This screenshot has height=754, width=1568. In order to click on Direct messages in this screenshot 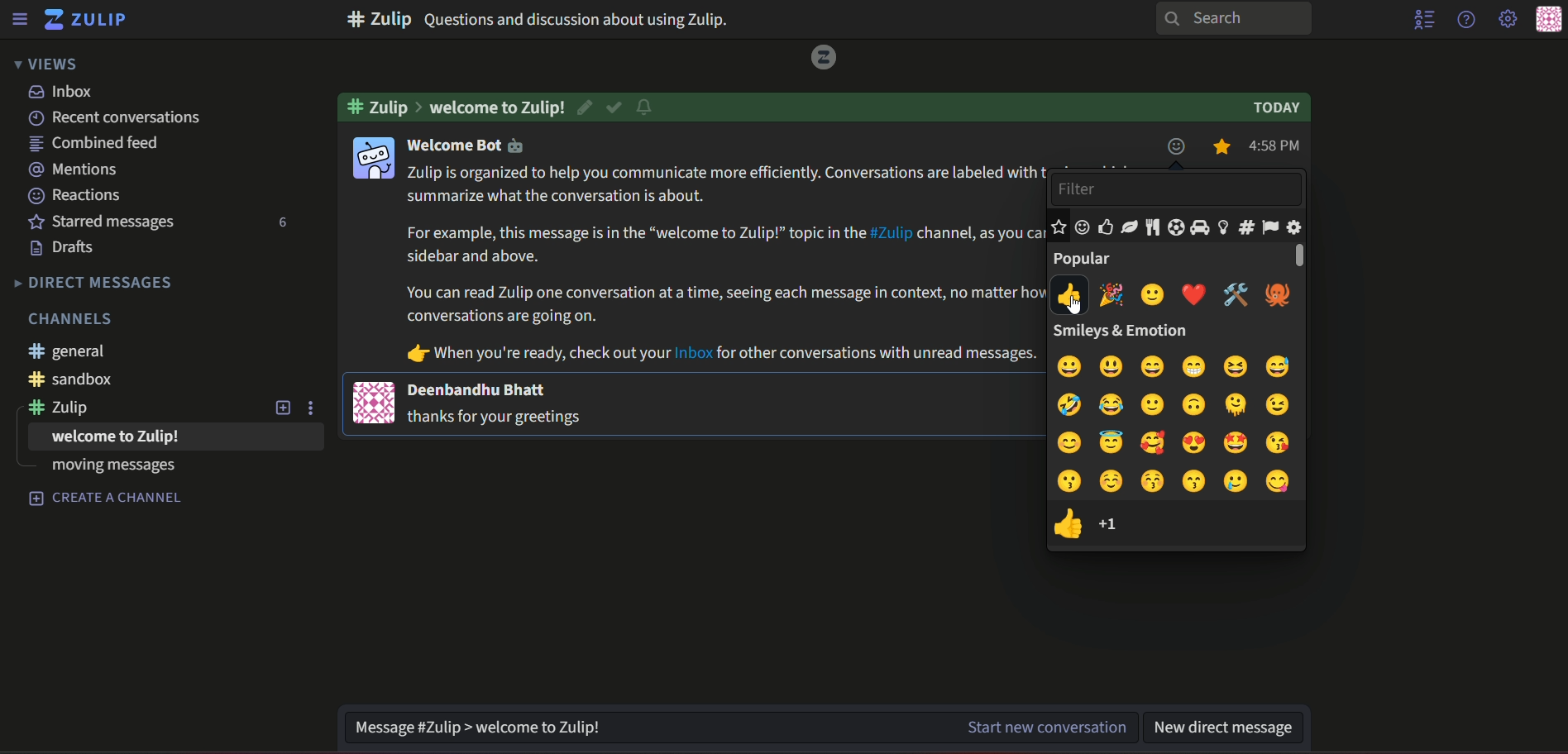, I will do `click(92, 284)`.